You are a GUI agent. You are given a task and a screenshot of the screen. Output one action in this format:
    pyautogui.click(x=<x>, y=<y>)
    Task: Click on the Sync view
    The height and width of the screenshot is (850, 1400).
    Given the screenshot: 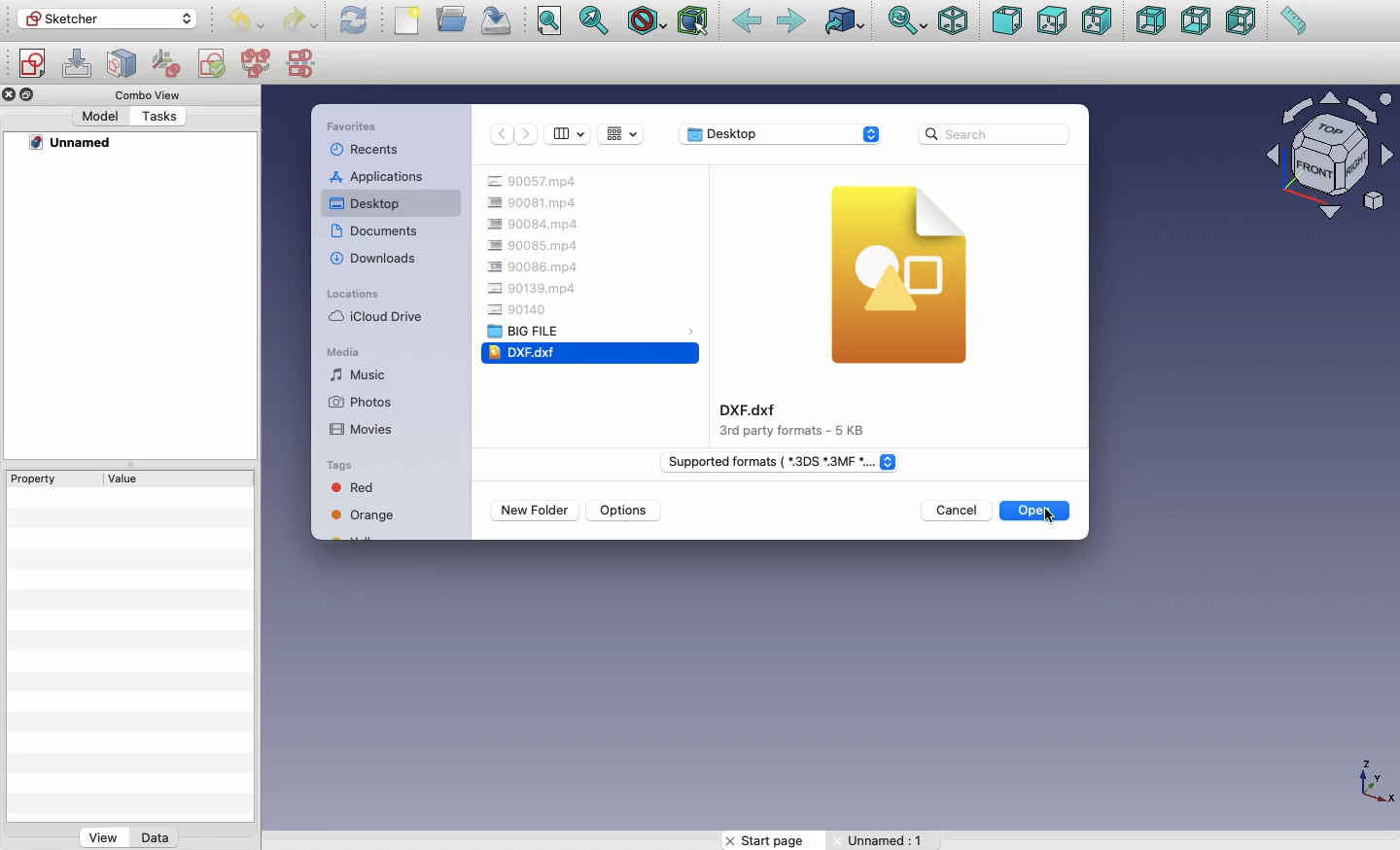 What is the action you would take?
    pyautogui.click(x=909, y=20)
    